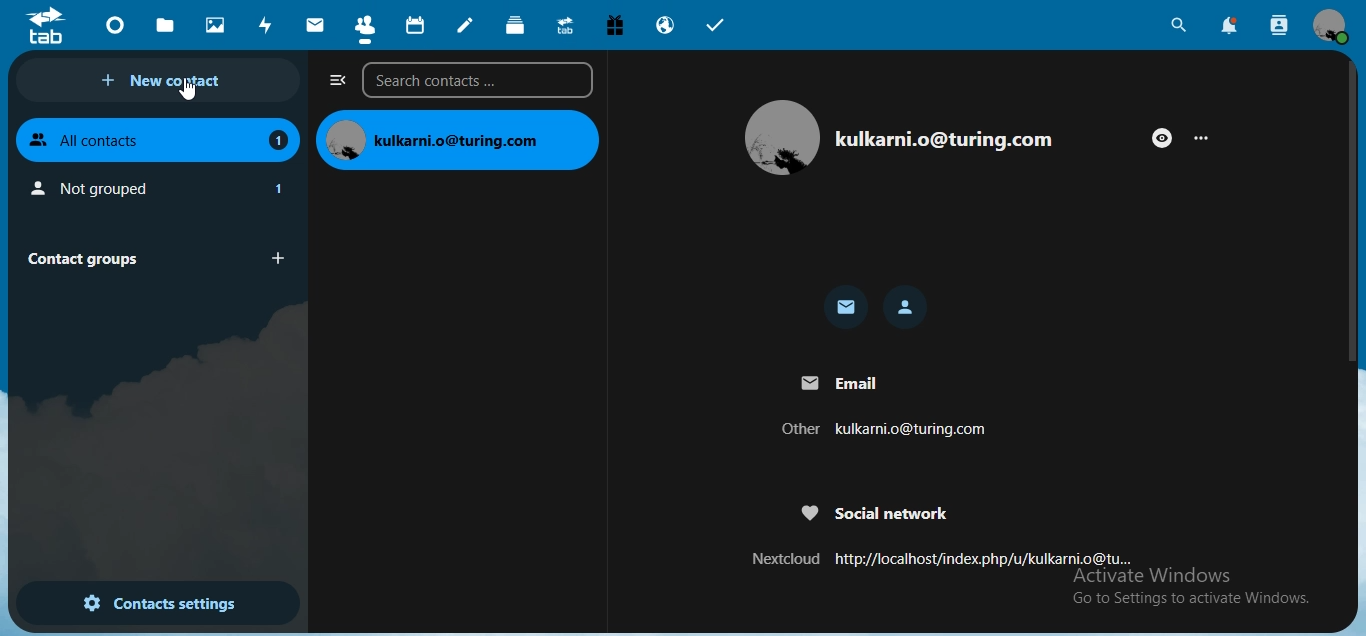  Describe the element at coordinates (610, 24) in the screenshot. I see `free trial` at that location.